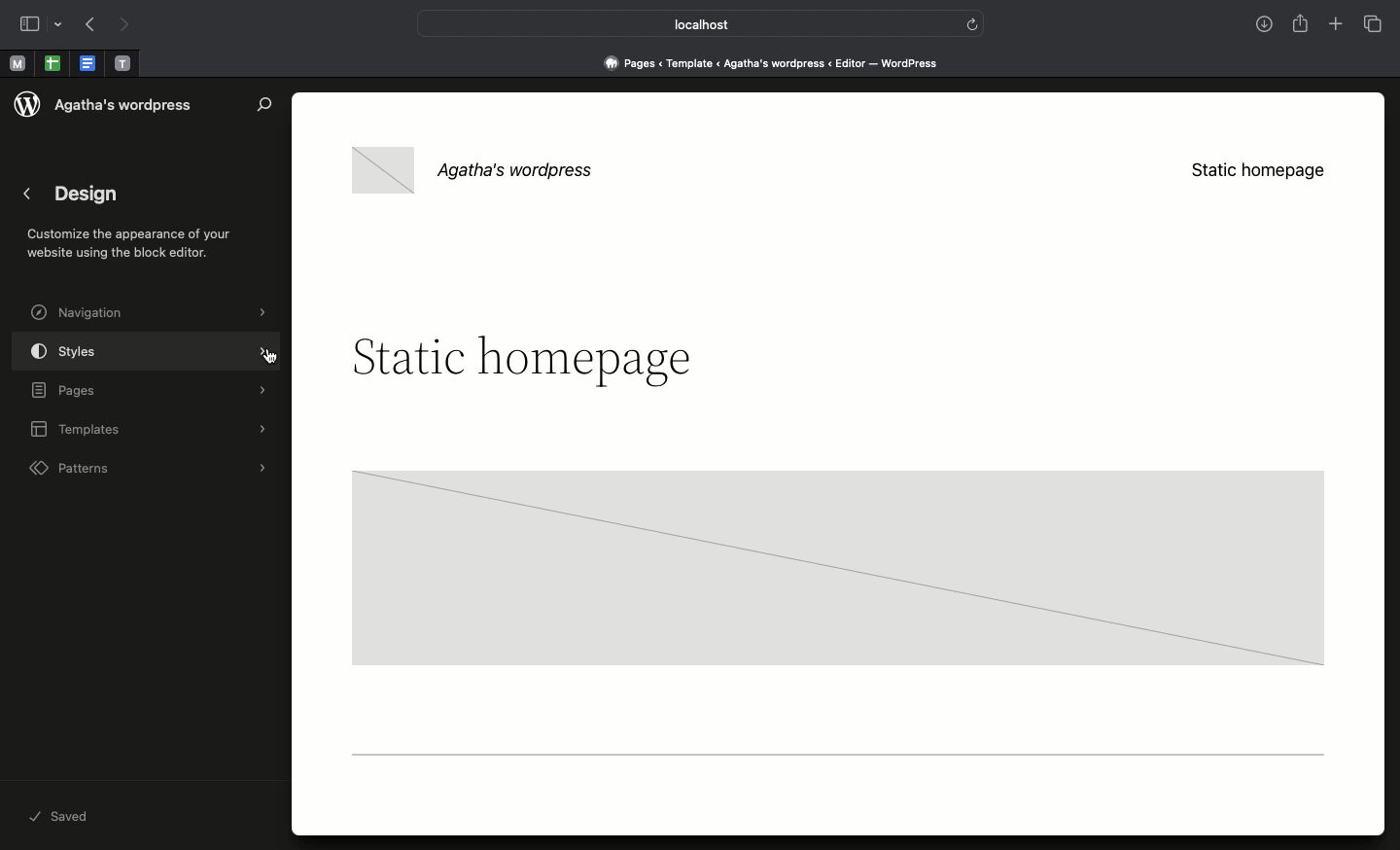  I want to click on Static homepage, so click(1255, 172).